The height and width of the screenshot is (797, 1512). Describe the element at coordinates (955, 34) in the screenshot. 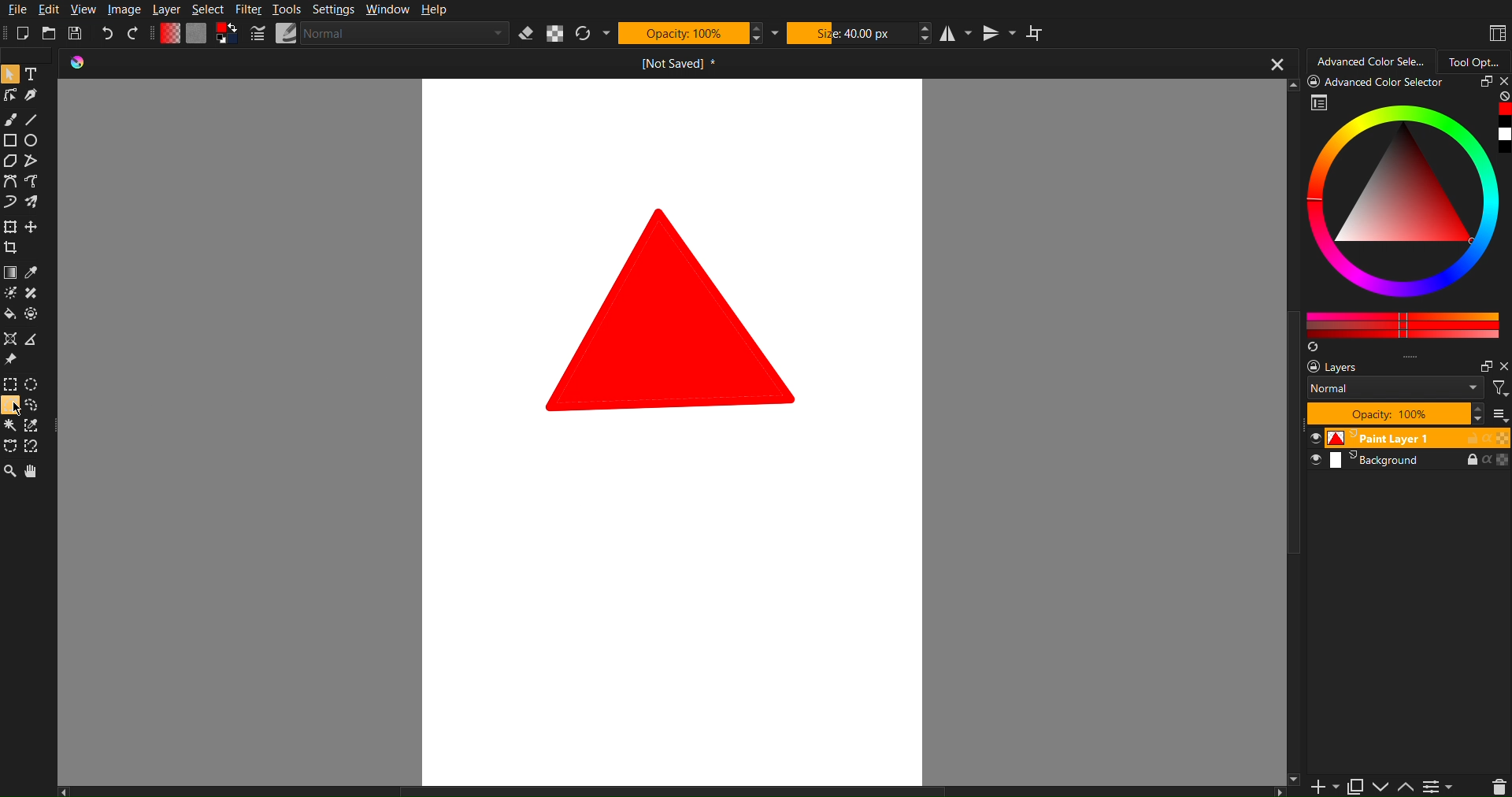

I see `Horizontal Mirror` at that location.